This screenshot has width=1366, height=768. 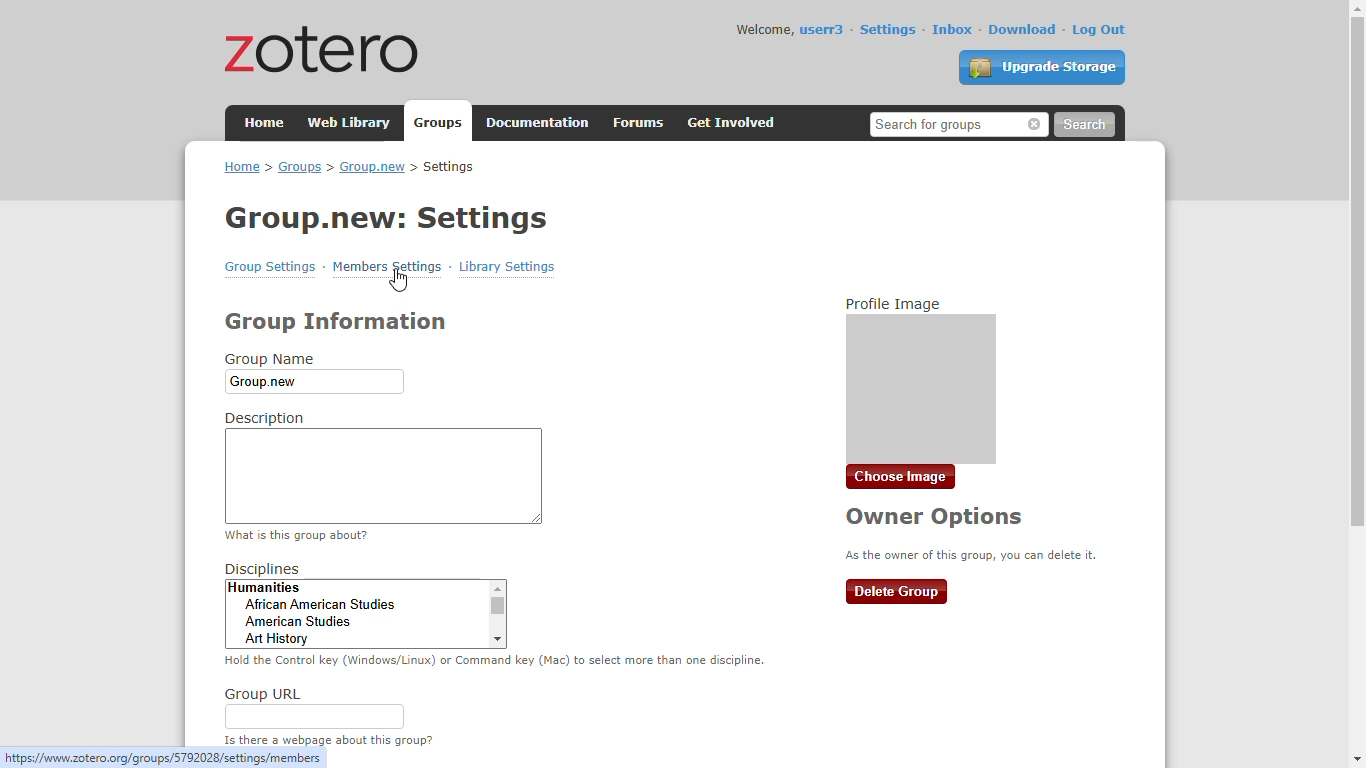 I want to click on as the owner of this group, you can delete it., so click(x=972, y=554).